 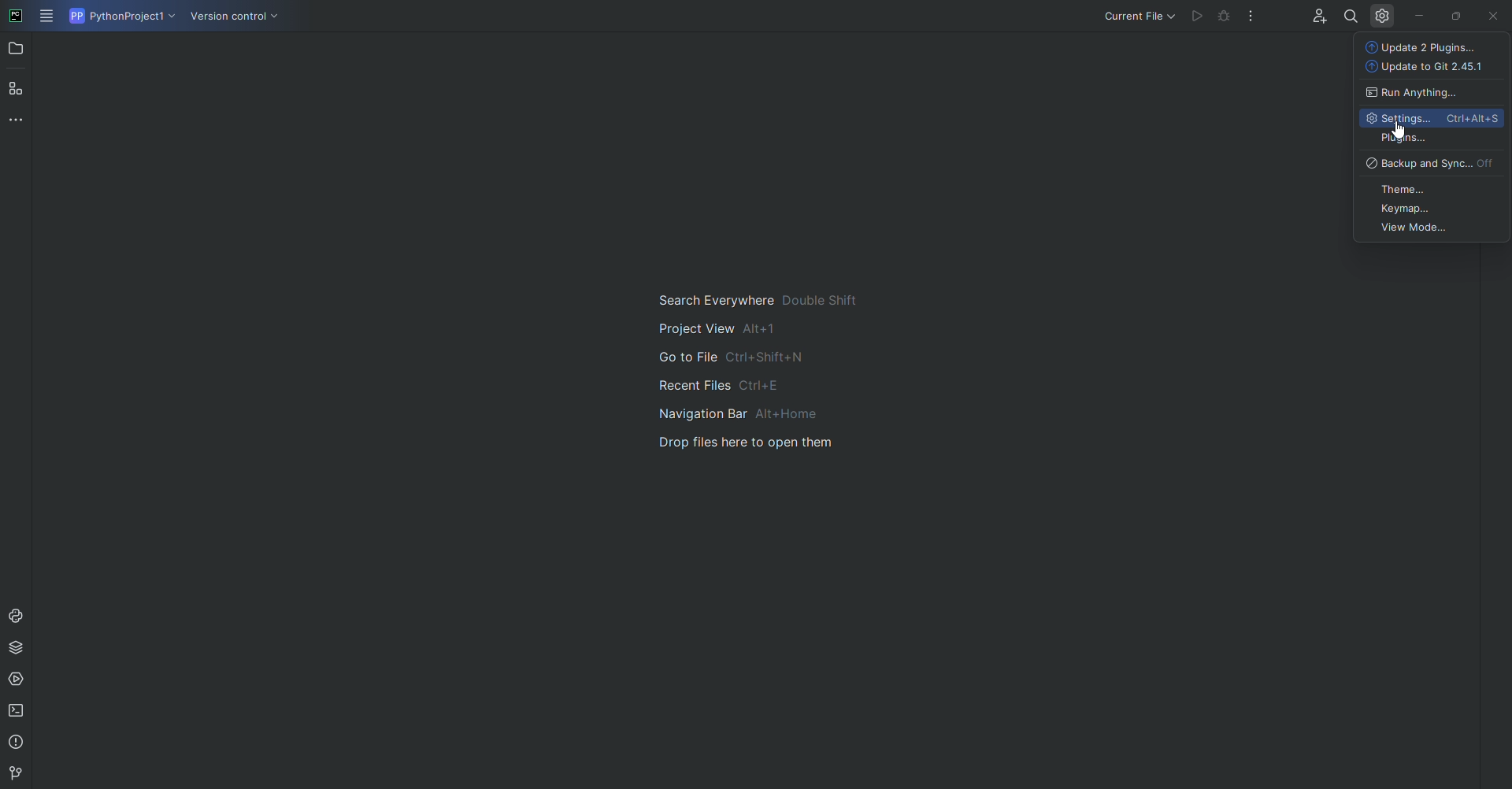 What do you see at coordinates (1400, 130) in the screenshot?
I see `Cursor` at bounding box center [1400, 130].